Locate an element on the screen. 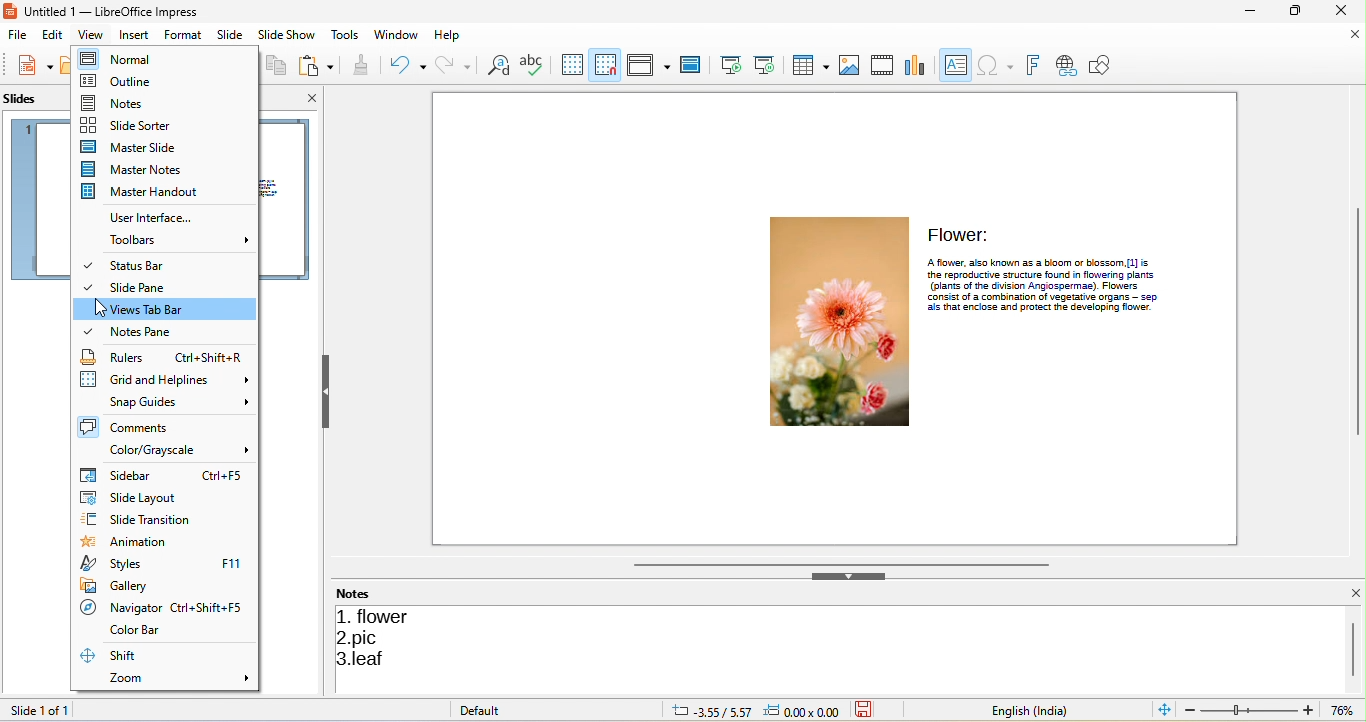  slides is located at coordinates (33, 99).